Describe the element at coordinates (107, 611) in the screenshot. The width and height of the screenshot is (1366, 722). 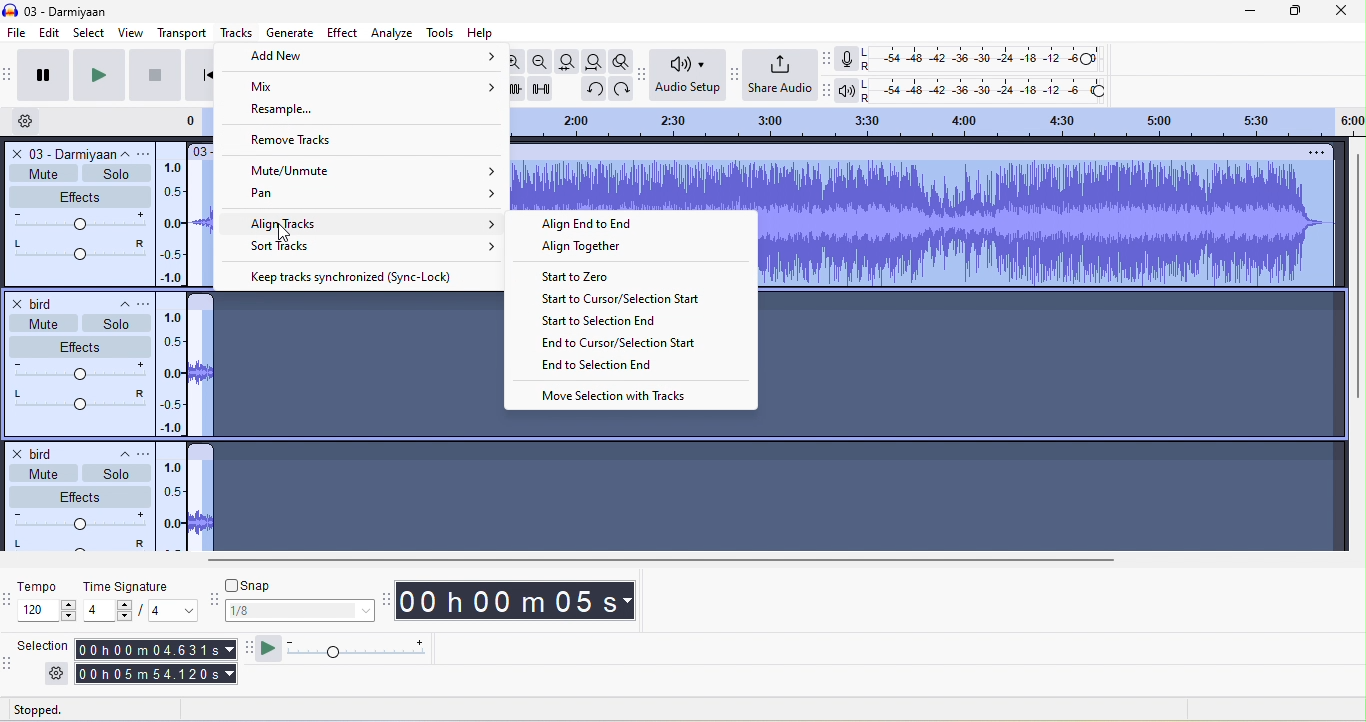
I see `value` at that location.